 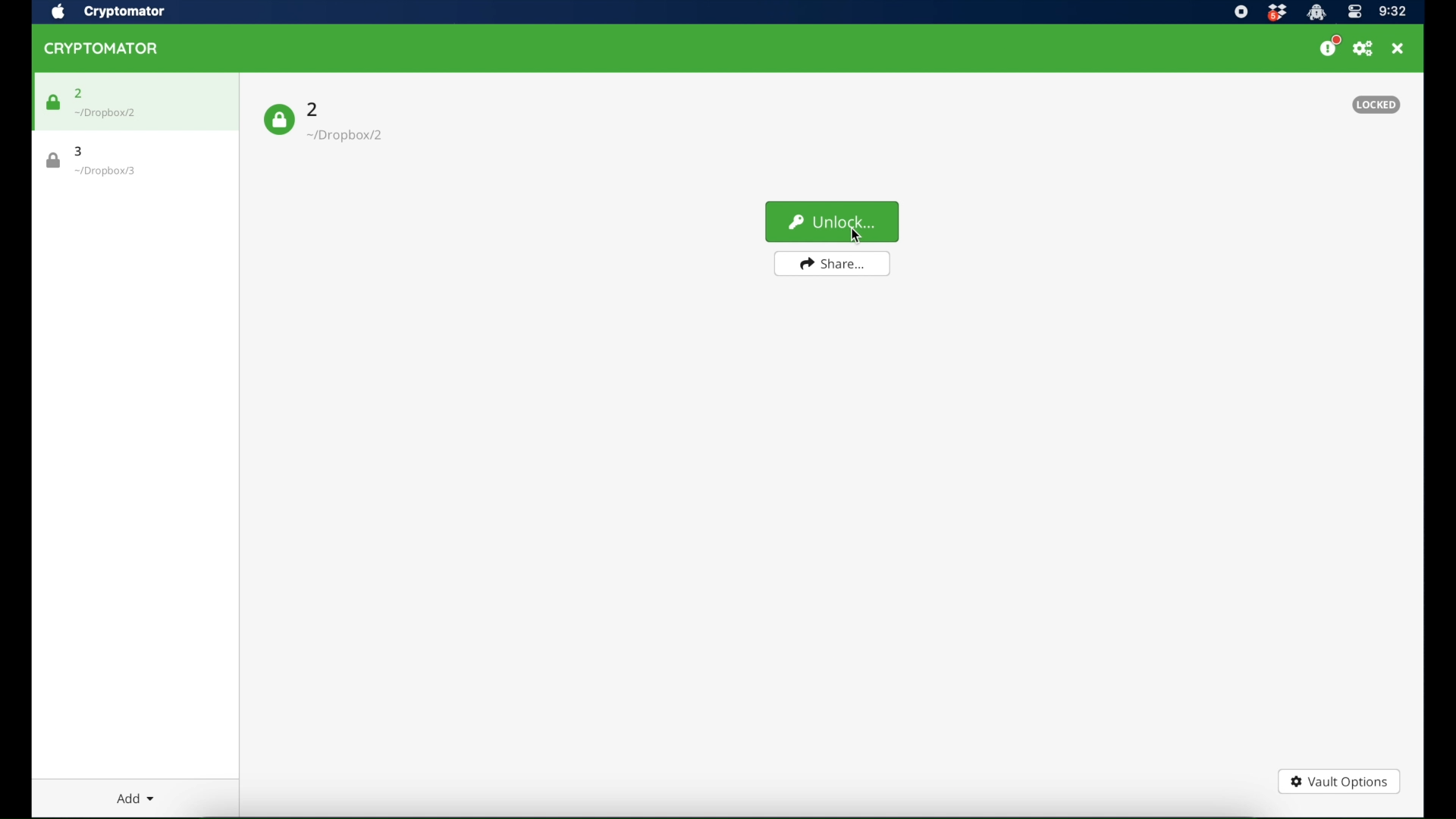 I want to click on locked, so click(x=1376, y=105).